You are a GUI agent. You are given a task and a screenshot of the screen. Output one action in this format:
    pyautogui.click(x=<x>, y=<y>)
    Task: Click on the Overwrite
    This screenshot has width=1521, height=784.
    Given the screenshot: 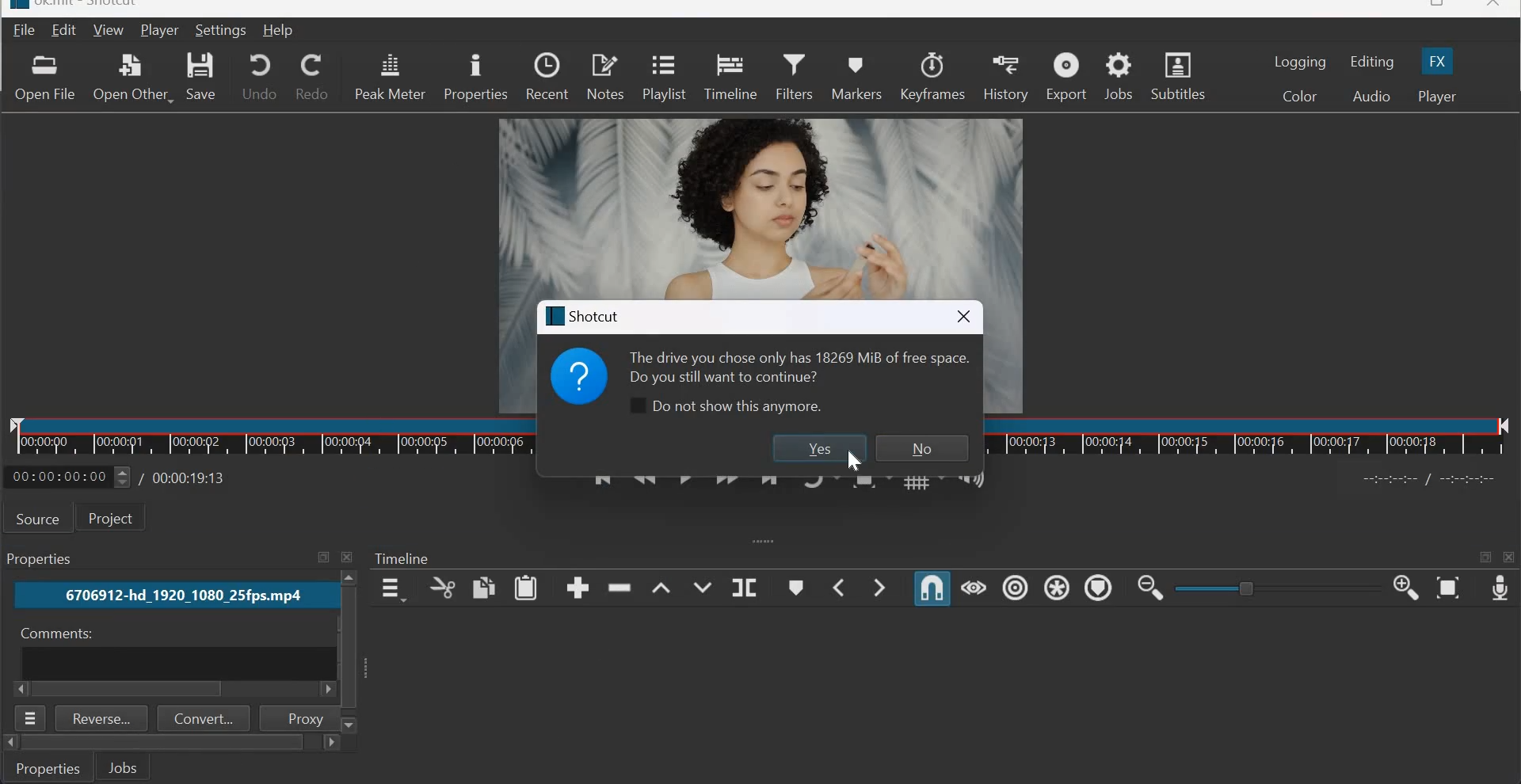 What is the action you would take?
    pyautogui.click(x=701, y=584)
    